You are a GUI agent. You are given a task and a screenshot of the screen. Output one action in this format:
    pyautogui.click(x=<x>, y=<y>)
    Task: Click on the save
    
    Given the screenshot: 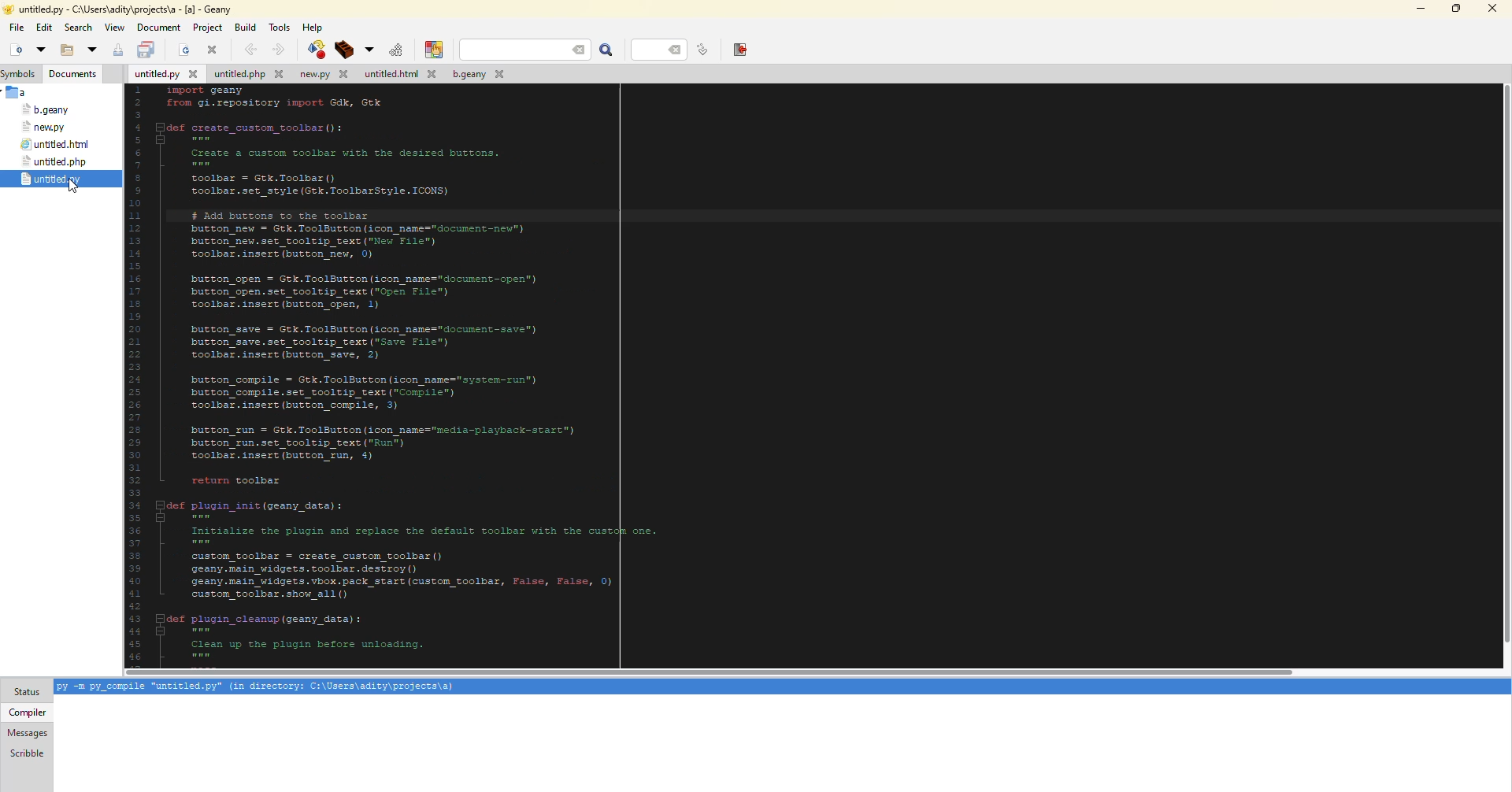 What is the action you would take?
    pyautogui.click(x=117, y=49)
    